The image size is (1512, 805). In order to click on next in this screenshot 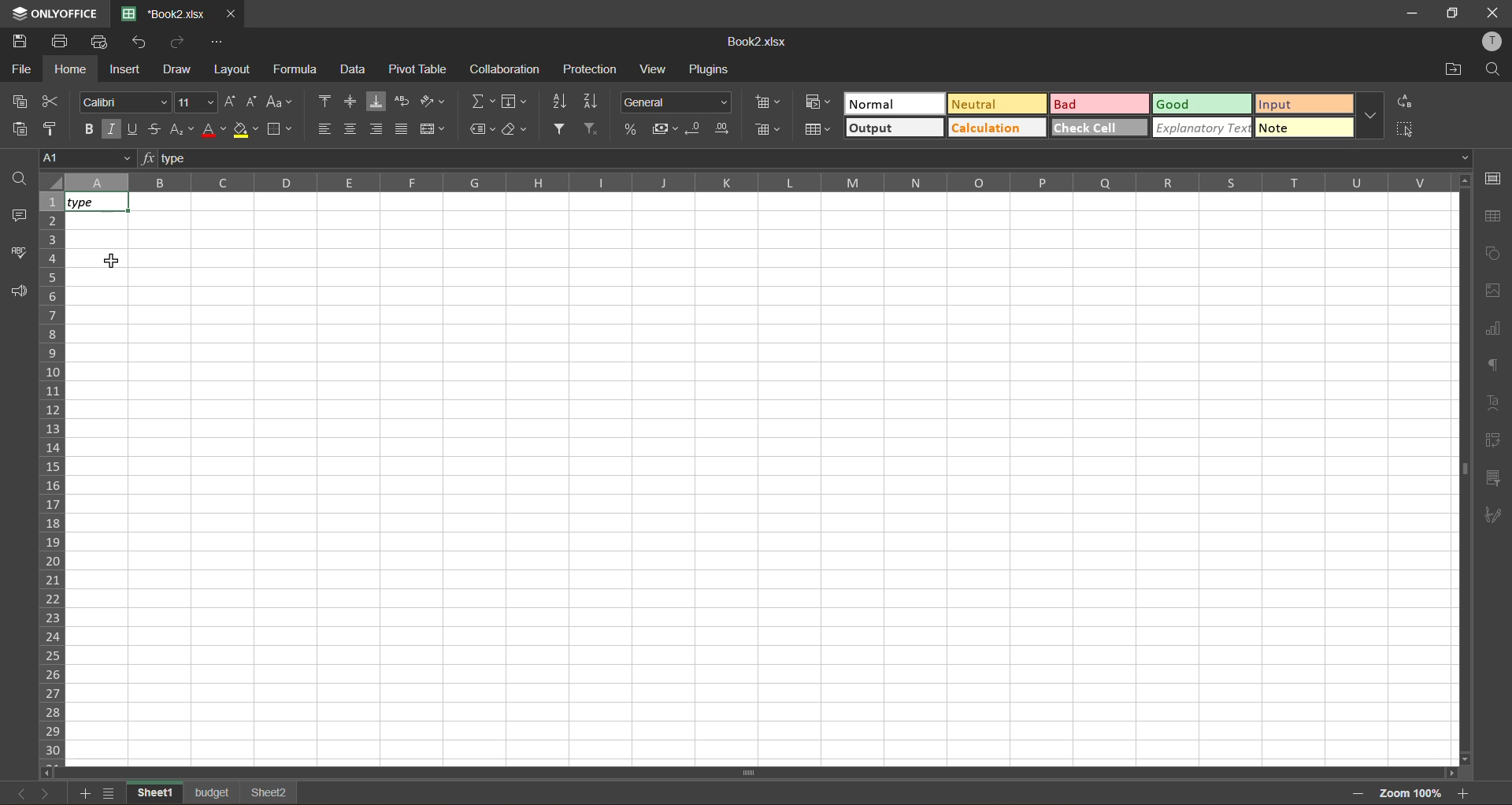, I will do `click(43, 793)`.